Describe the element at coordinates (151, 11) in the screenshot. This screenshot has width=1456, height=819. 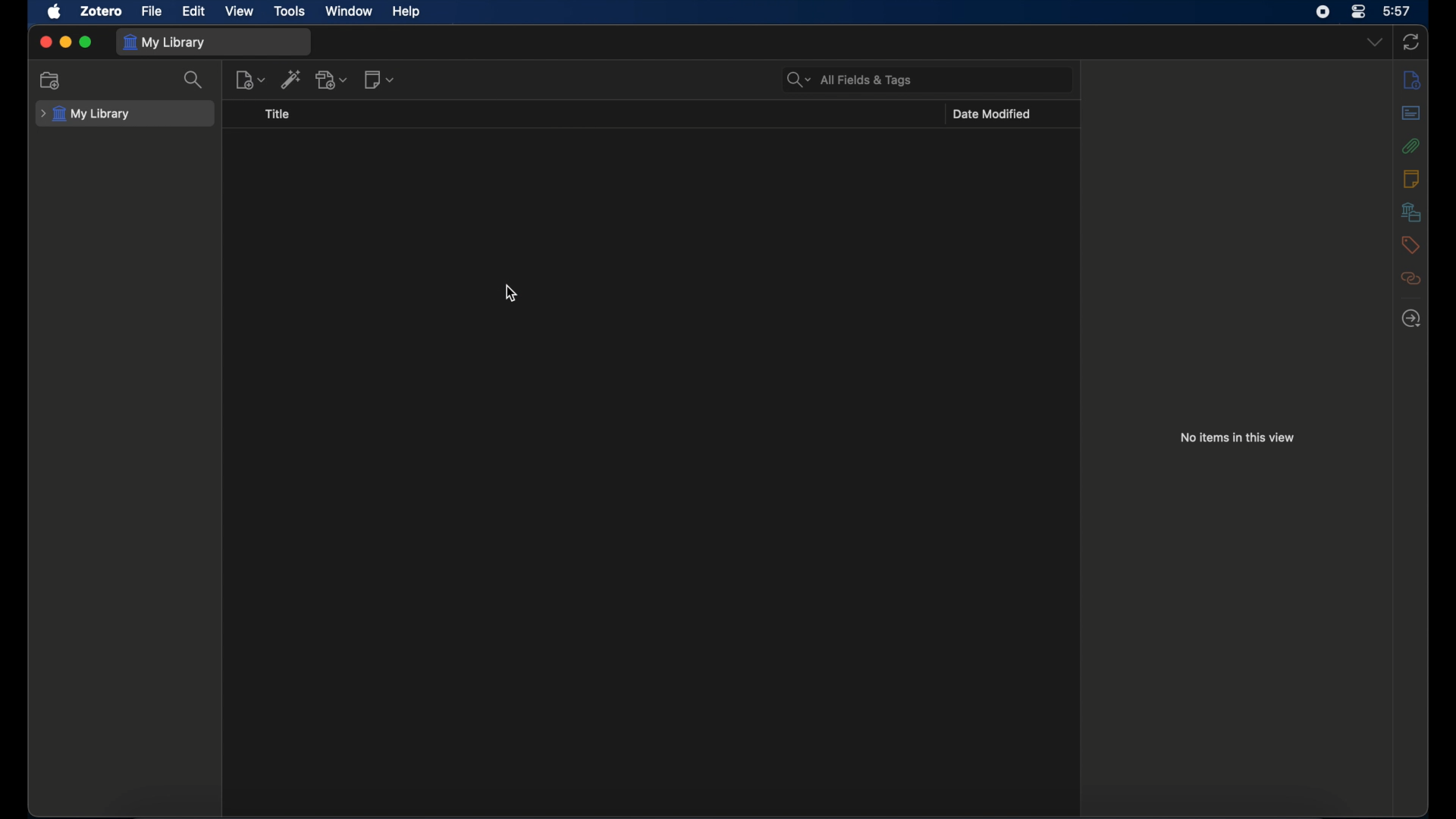
I see `file` at that location.